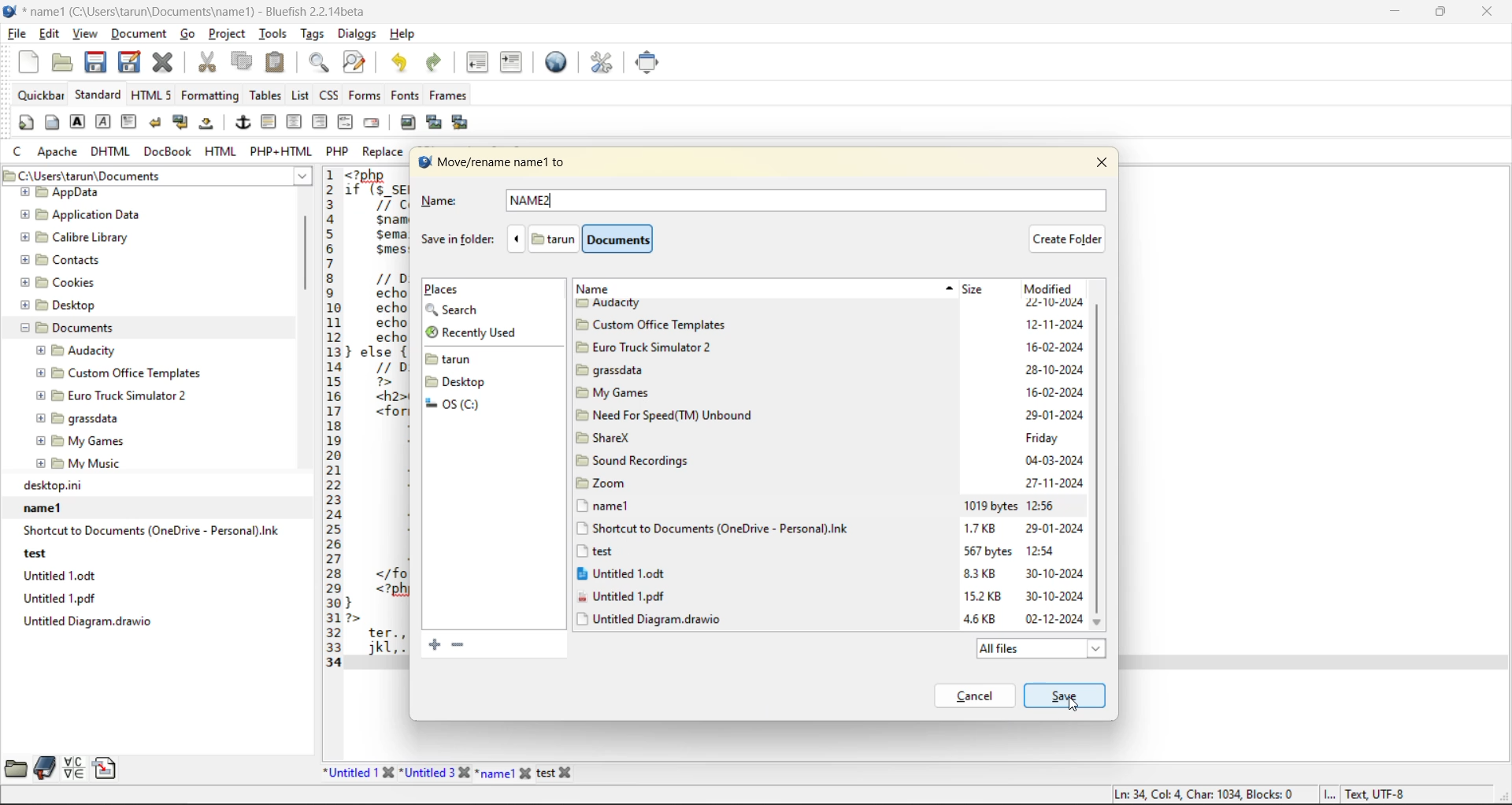 The height and width of the screenshot is (805, 1512). Describe the element at coordinates (46, 768) in the screenshot. I see `bookmarks` at that location.